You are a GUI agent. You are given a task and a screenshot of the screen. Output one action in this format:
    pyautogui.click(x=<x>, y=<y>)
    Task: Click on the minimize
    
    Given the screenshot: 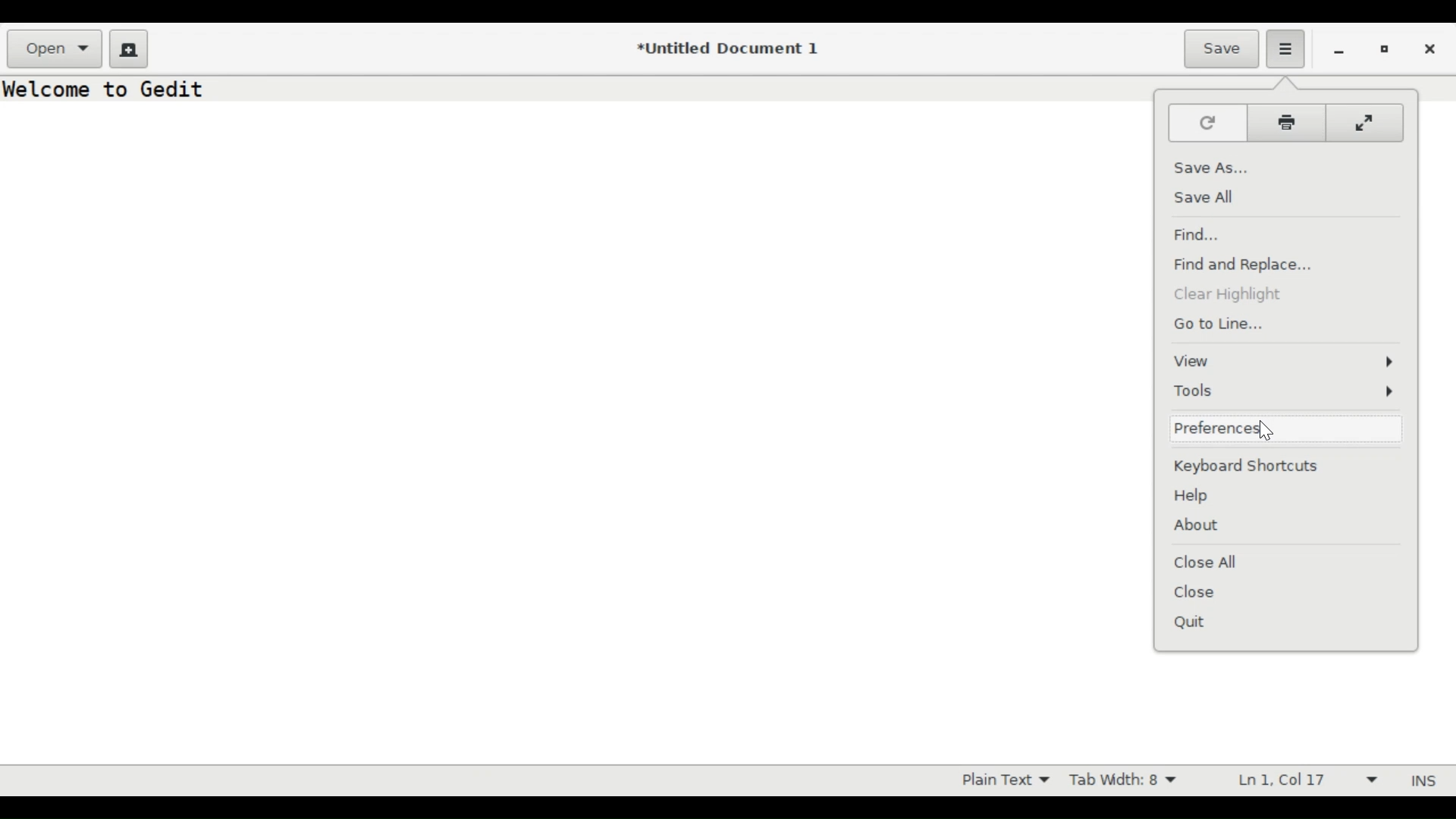 What is the action you would take?
    pyautogui.click(x=1339, y=52)
    